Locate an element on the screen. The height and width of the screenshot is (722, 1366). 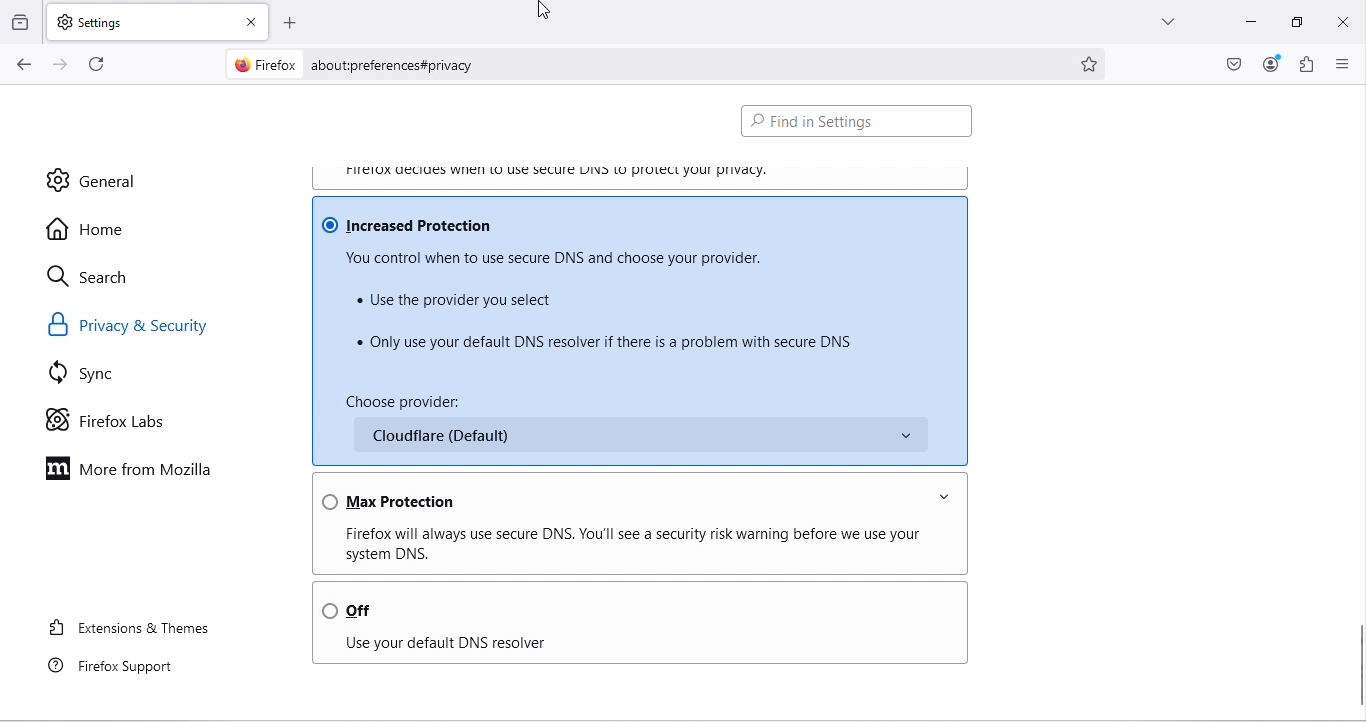
Browse recent tabs across windows and devices is located at coordinates (22, 23).